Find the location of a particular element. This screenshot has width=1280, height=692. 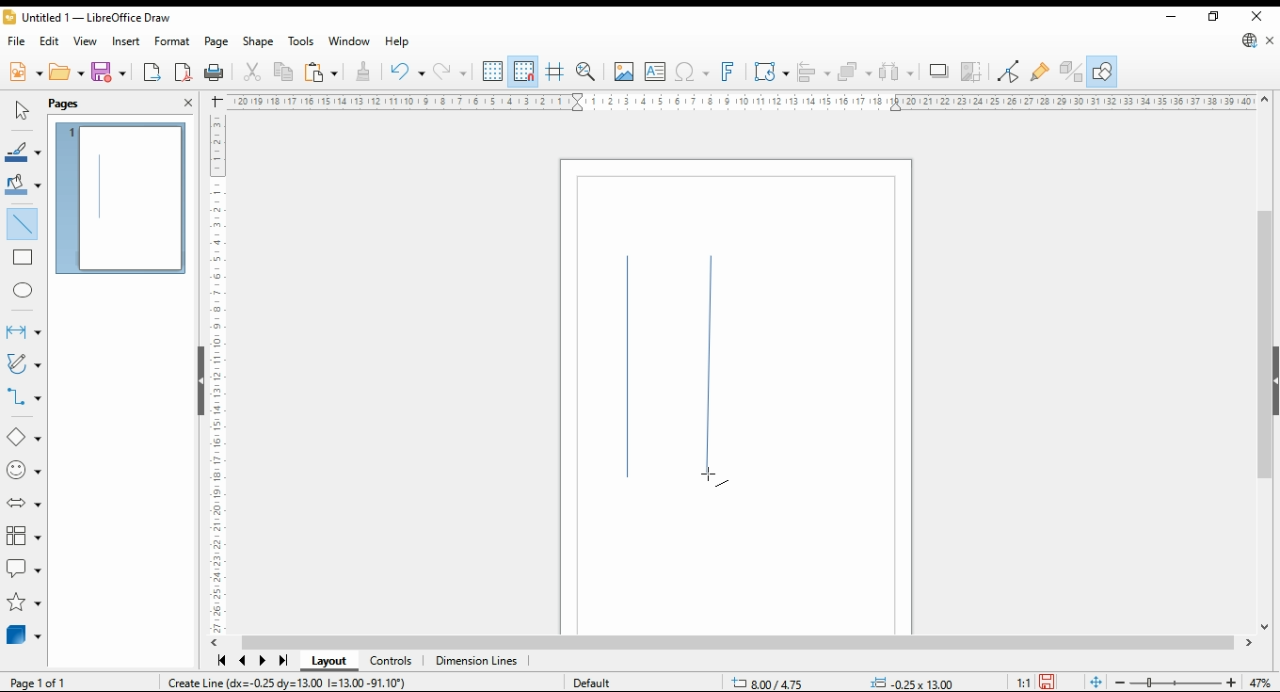

ellipse is located at coordinates (23, 288).